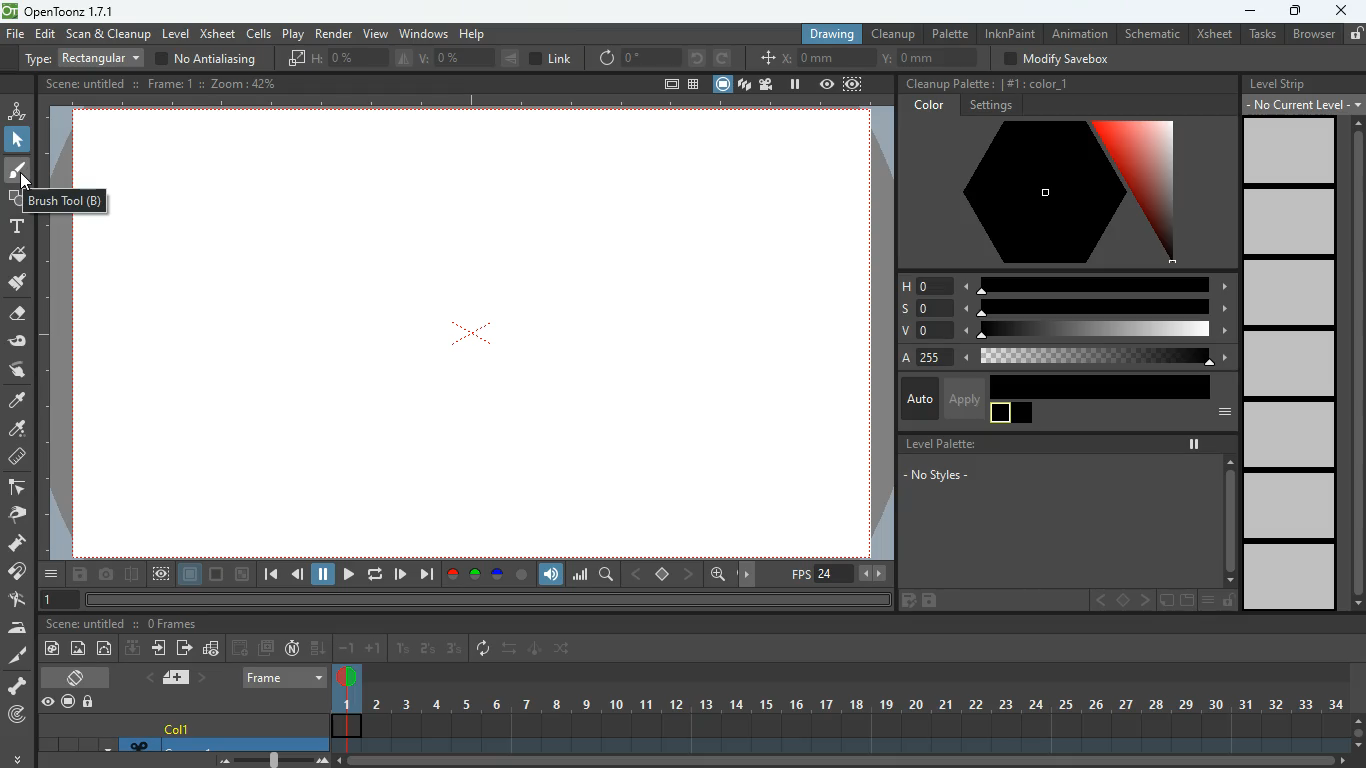  I want to click on right, so click(690, 574).